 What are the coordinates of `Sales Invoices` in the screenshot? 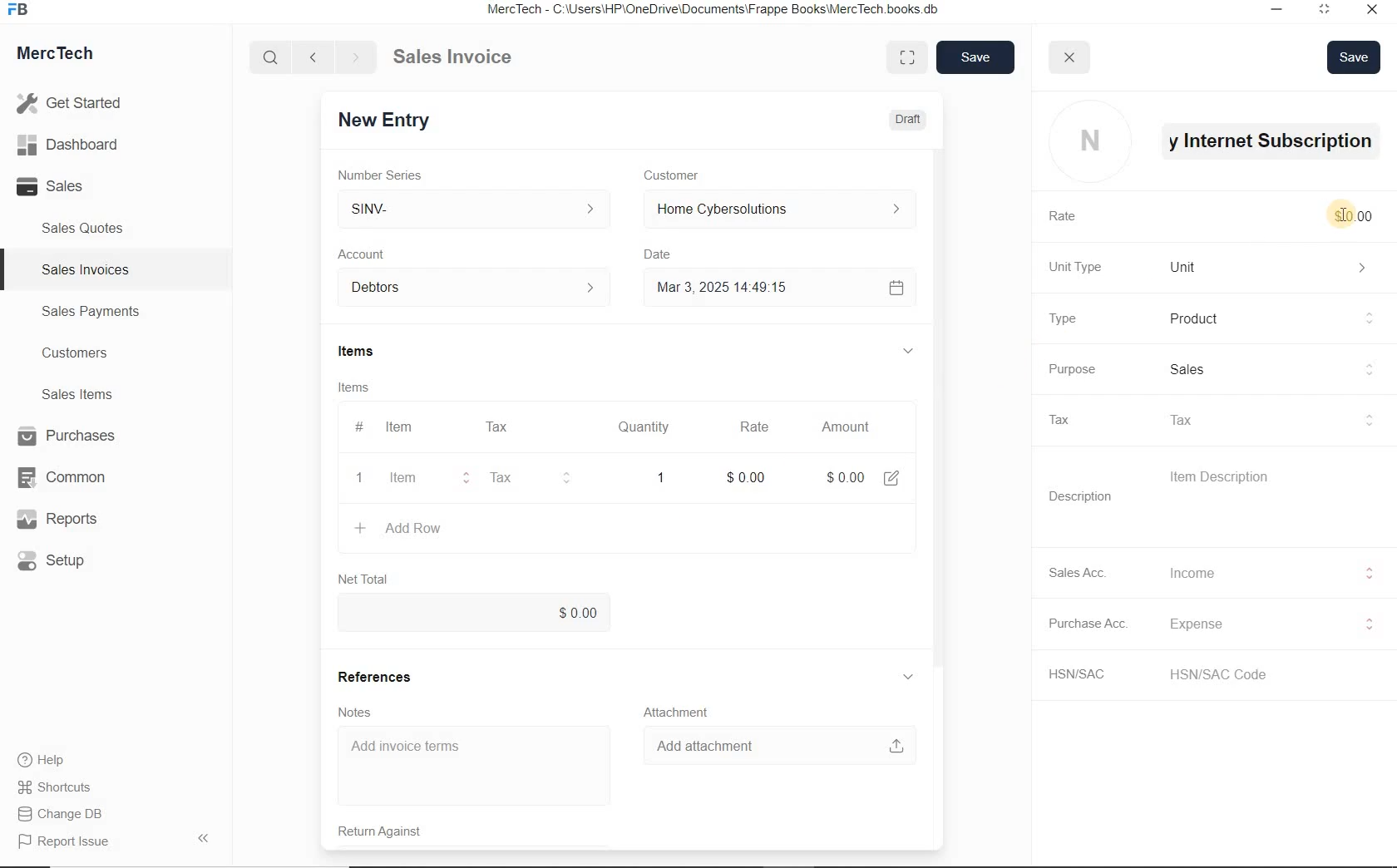 It's located at (86, 269).